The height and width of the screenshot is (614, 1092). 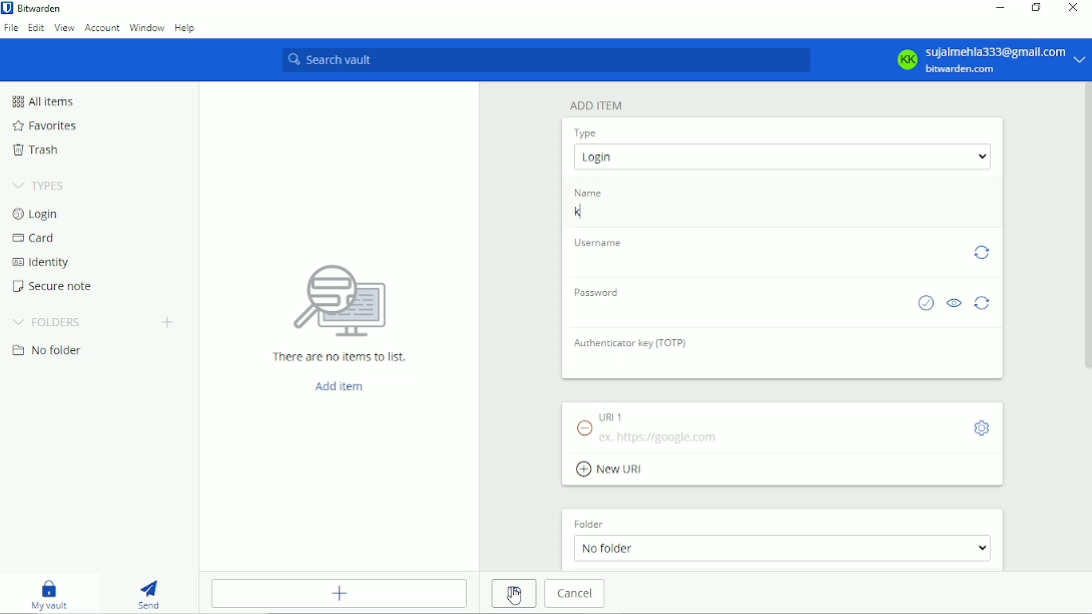 What do you see at coordinates (765, 426) in the screenshot?
I see `URI 1 ex: https://google.com` at bounding box center [765, 426].